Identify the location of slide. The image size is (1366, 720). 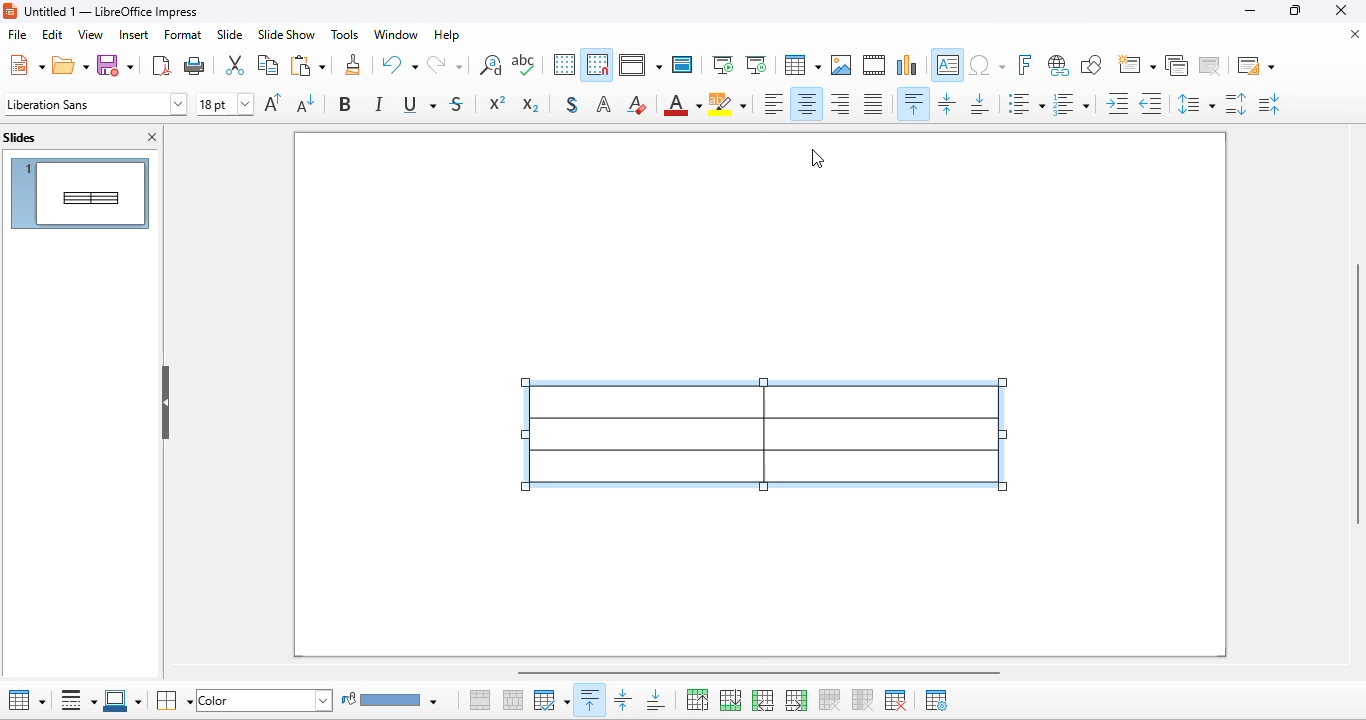
(231, 34).